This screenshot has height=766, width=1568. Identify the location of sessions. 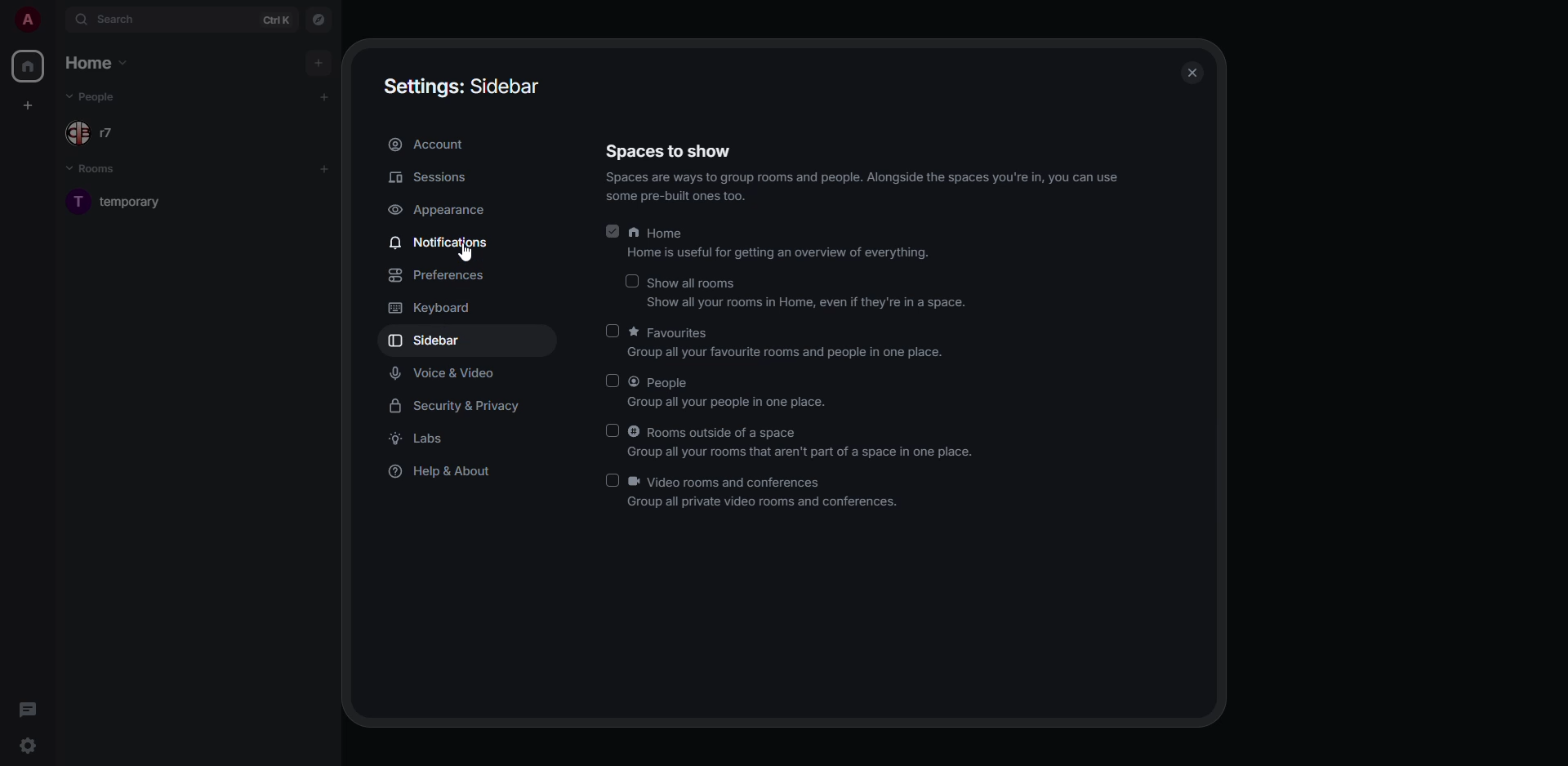
(428, 177).